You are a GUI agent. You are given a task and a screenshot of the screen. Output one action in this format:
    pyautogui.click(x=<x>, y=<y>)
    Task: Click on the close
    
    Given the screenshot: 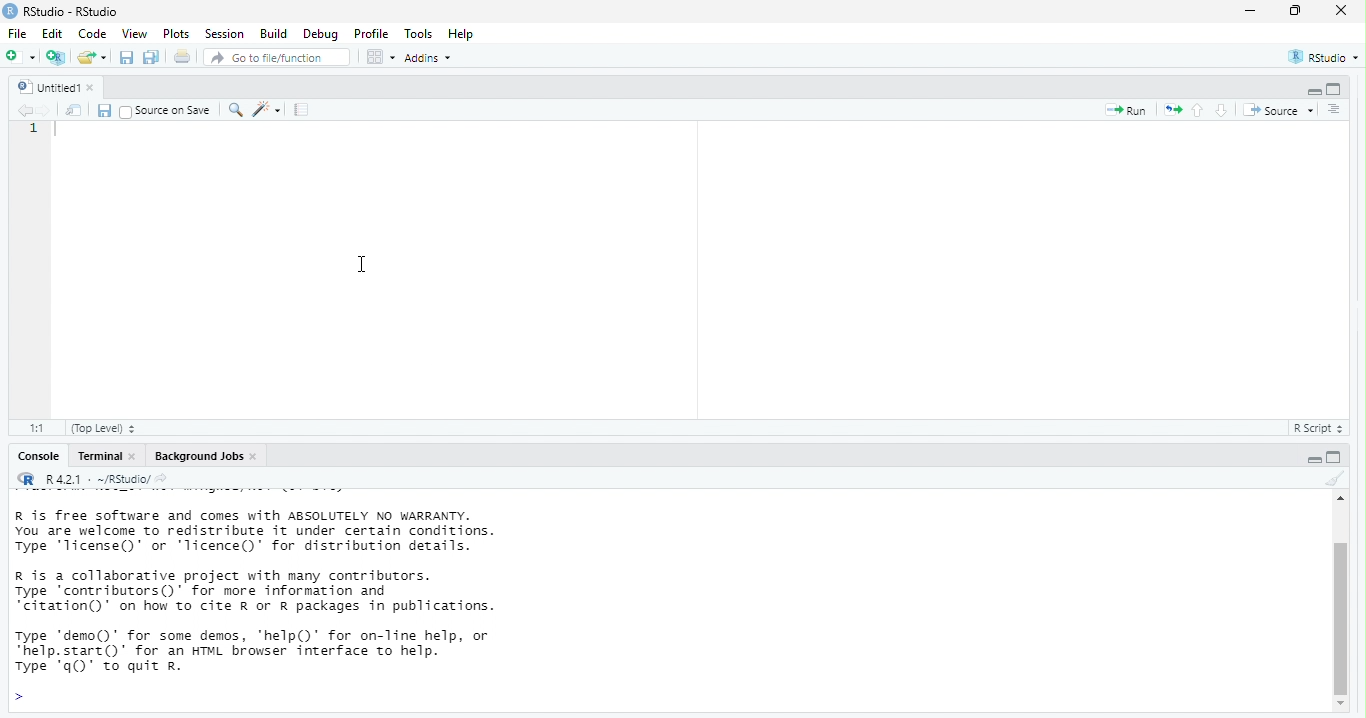 What is the action you would take?
    pyautogui.click(x=136, y=457)
    